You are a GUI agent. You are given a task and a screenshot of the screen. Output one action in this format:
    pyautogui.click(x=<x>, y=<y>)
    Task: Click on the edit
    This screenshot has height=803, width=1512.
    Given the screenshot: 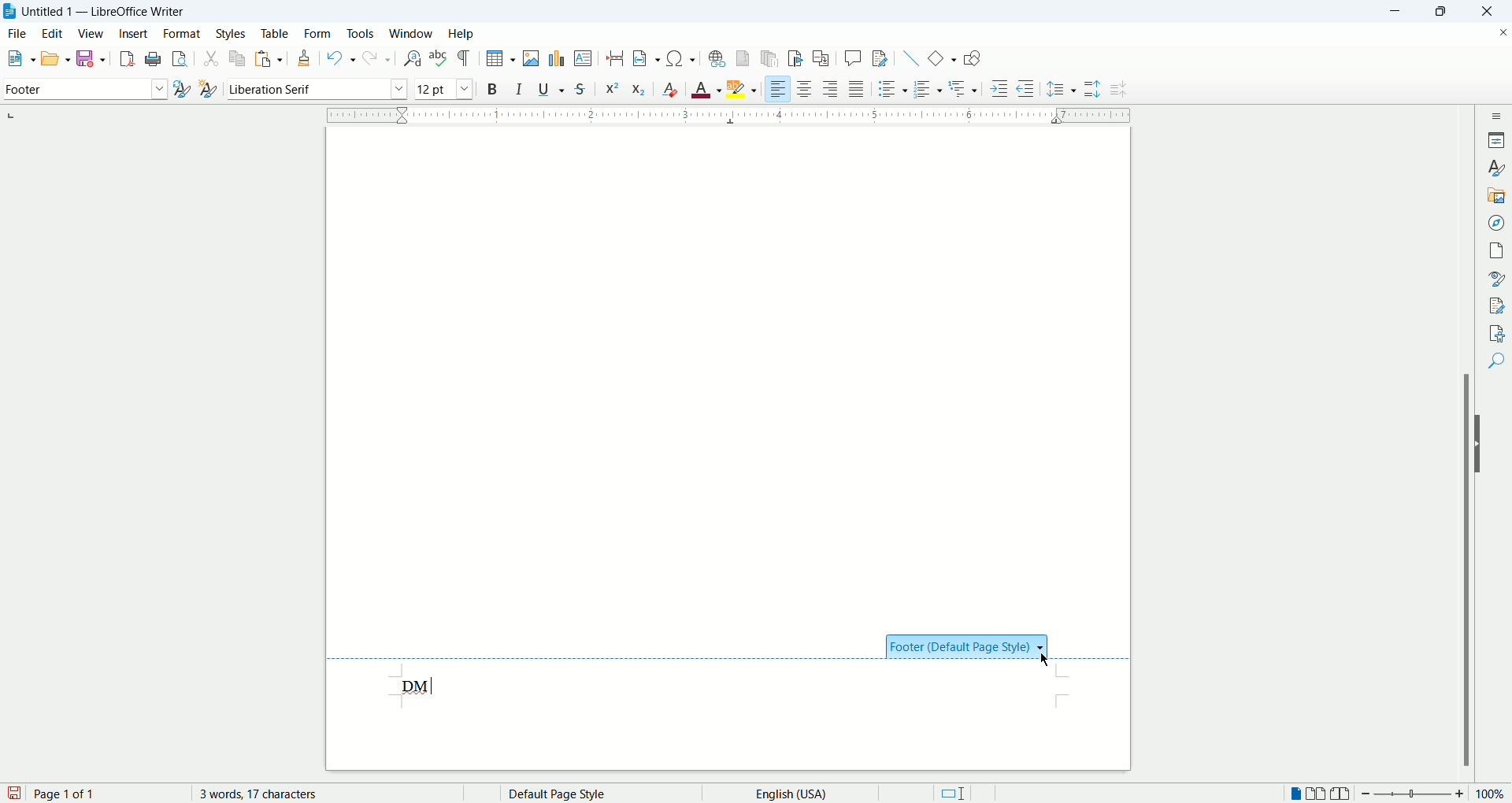 What is the action you would take?
    pyautogui.click(x=55, y=33)
    